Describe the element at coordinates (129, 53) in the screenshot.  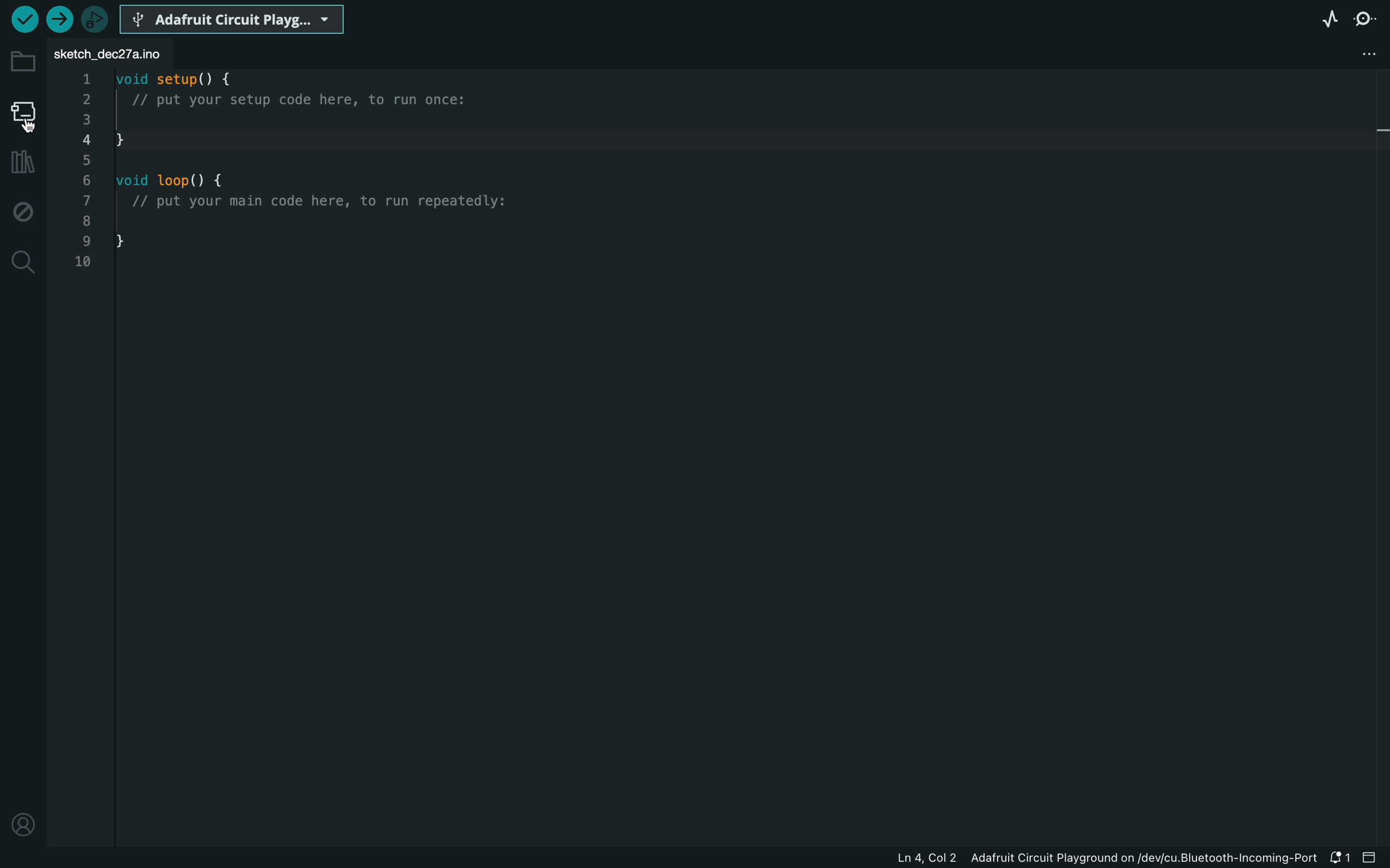
I see `file tab` at that location.